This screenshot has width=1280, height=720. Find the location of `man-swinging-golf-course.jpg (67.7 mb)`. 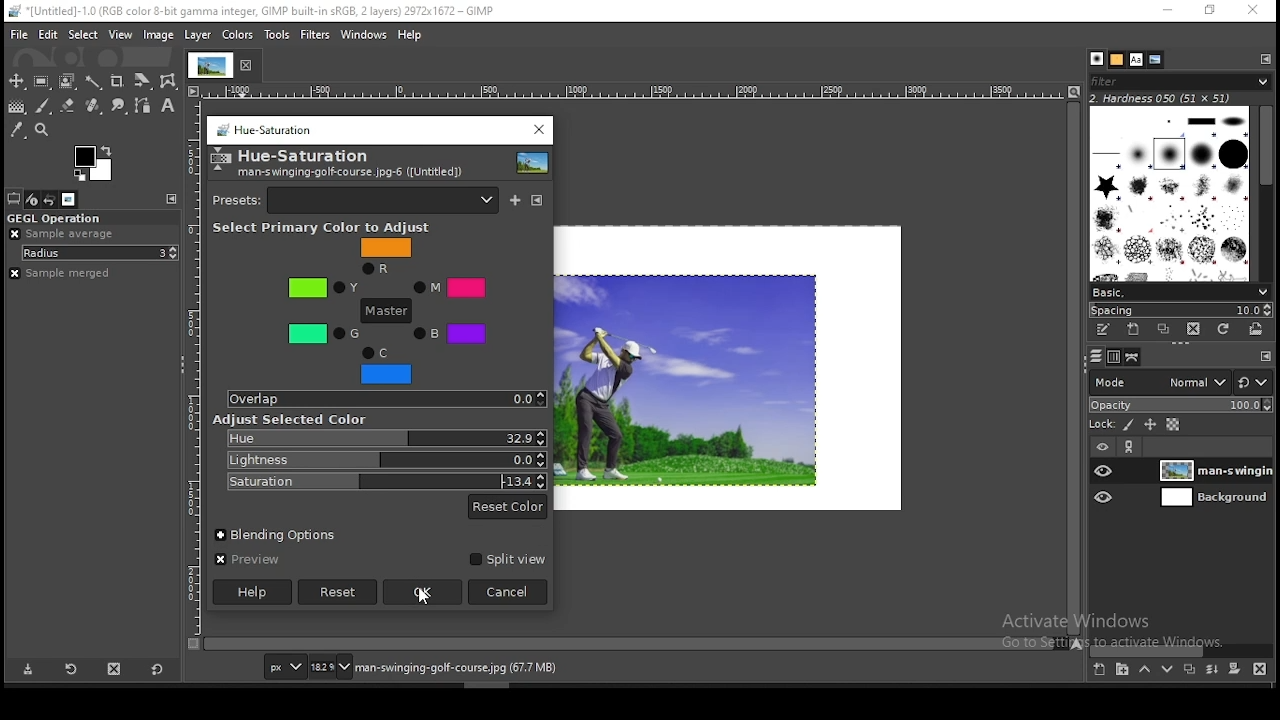

man-swinging-golf-course.jpg (67.7 mb) is located at coordinates (458, 669).